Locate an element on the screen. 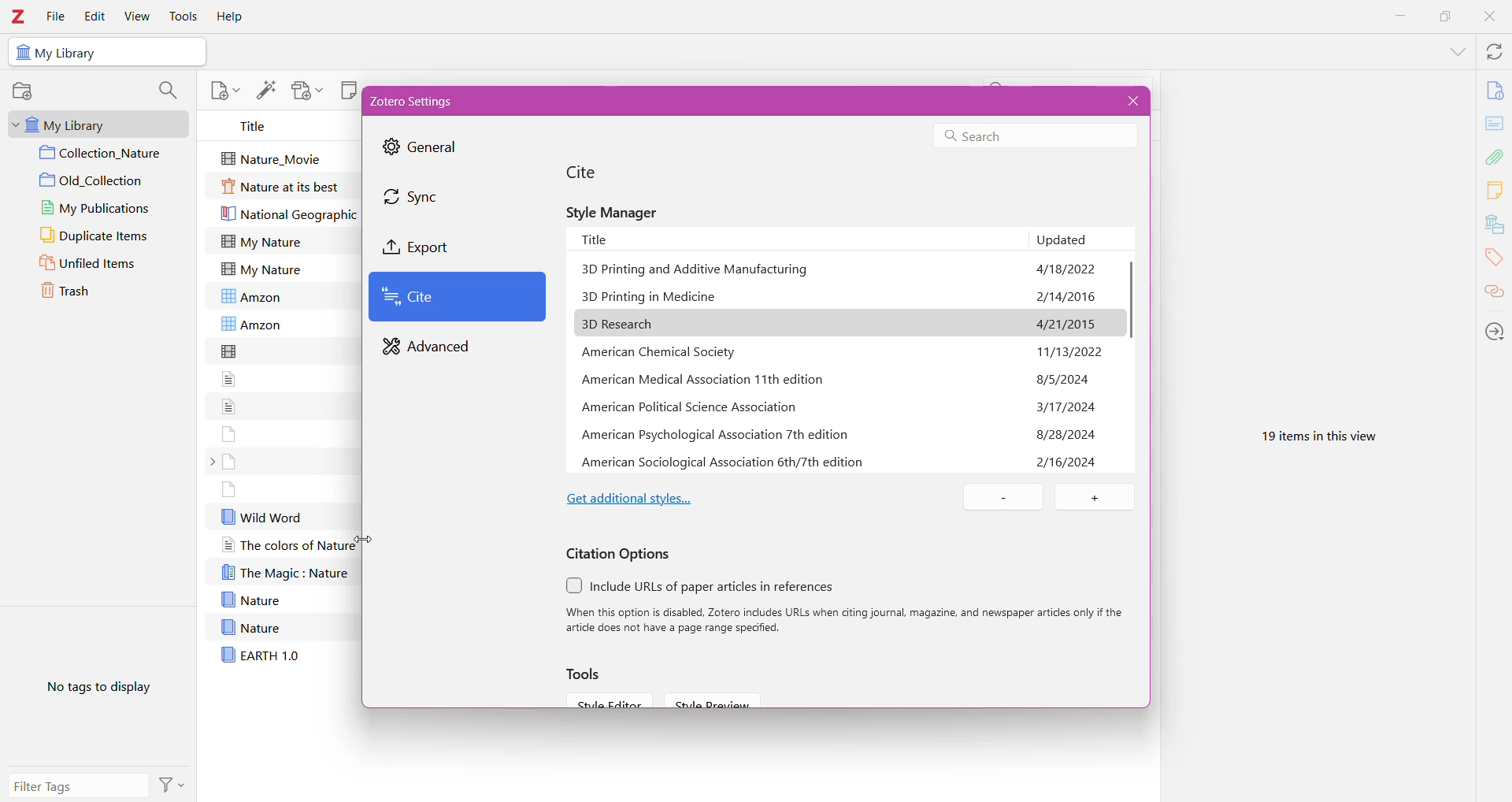 This screenshot has height=802, width=1512. Sync with zotero.org is located at coordinates (1493, 51).